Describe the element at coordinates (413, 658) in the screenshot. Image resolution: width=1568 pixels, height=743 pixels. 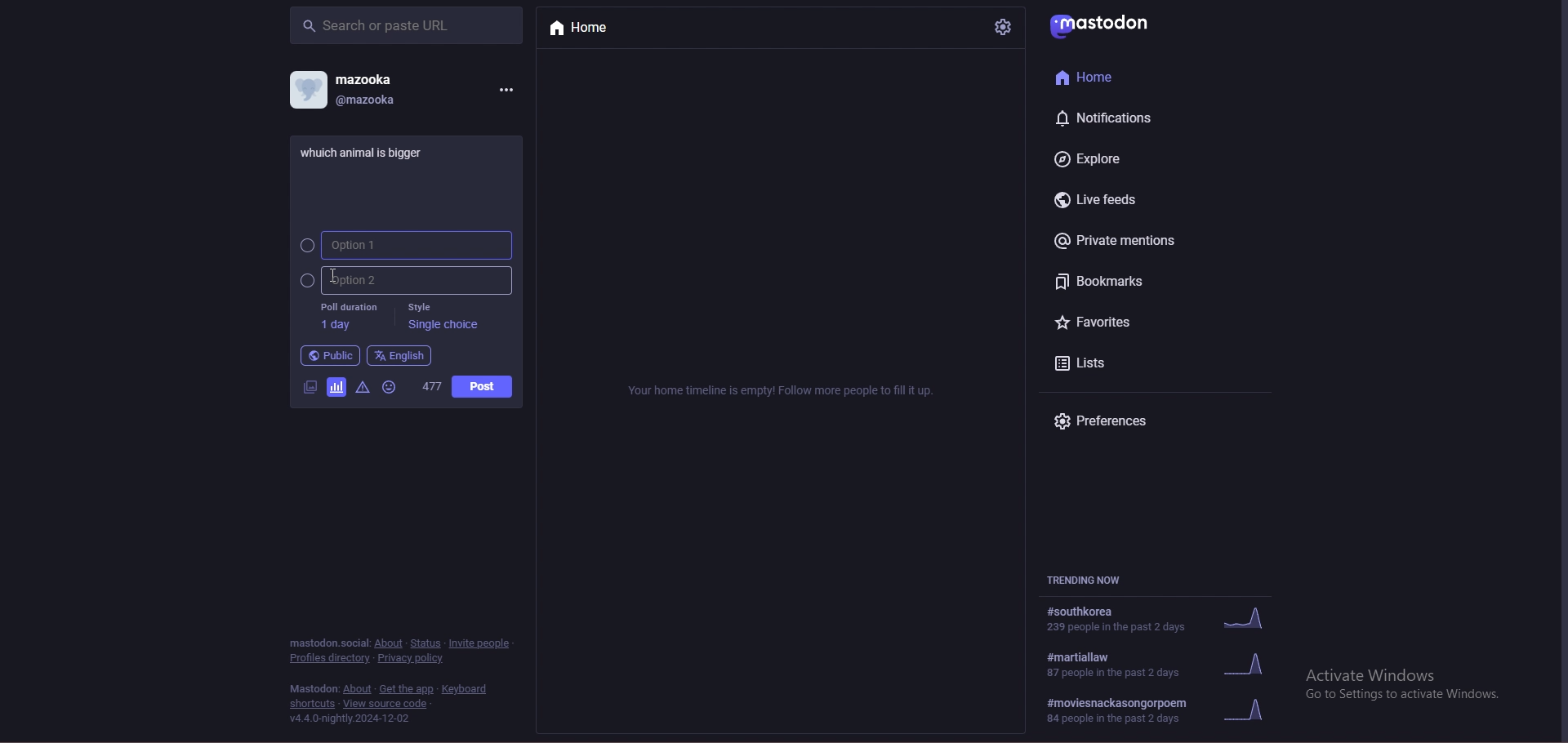
I see `privacy policy` at that location.